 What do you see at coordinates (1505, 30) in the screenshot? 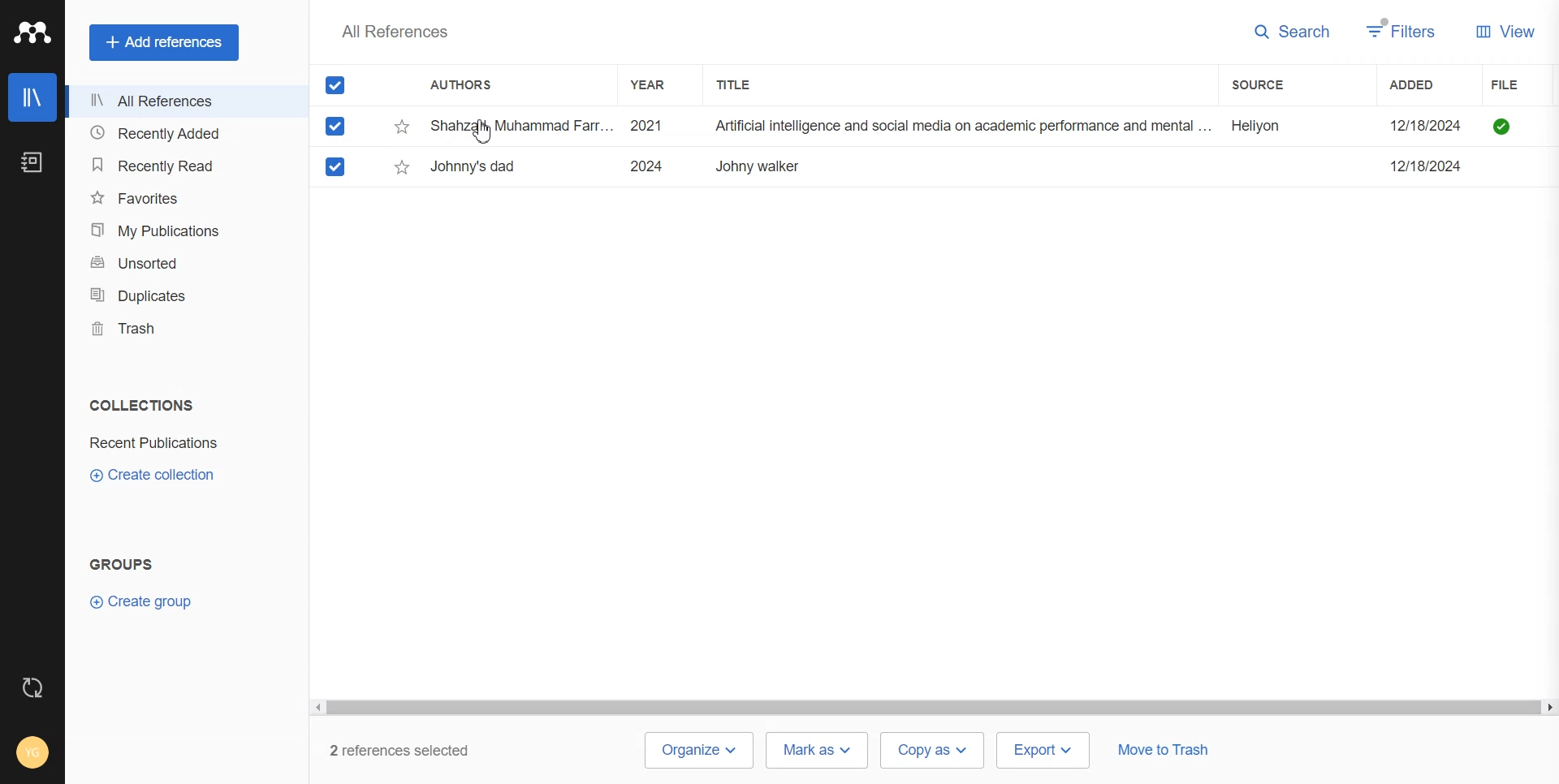
I see `View` at bounding box center [1505, 30].